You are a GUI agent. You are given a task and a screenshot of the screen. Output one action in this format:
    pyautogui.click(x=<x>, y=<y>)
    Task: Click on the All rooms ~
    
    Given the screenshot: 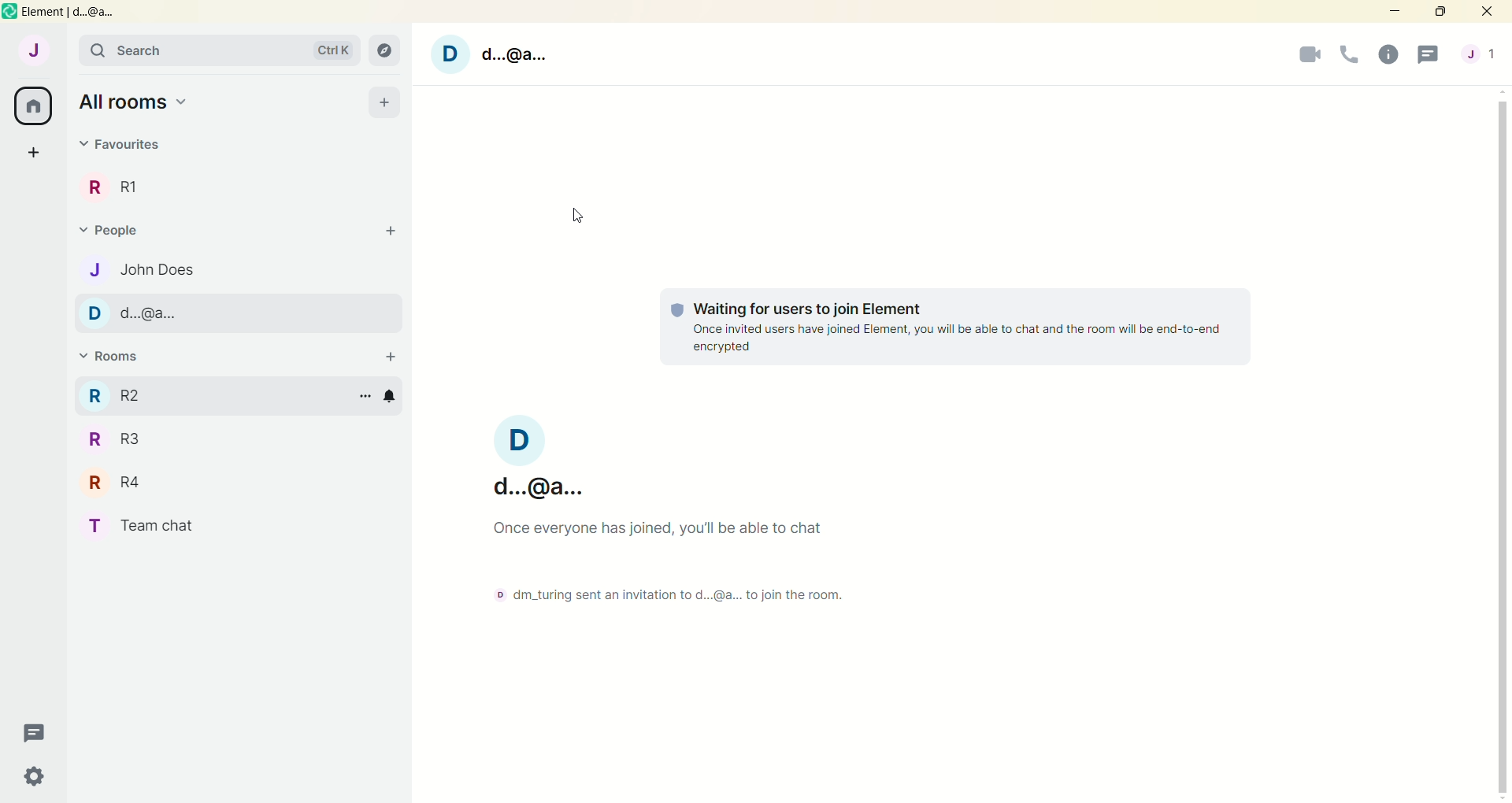 What is the action you would take?
    pyautogui.click(x=146, y=103)
    